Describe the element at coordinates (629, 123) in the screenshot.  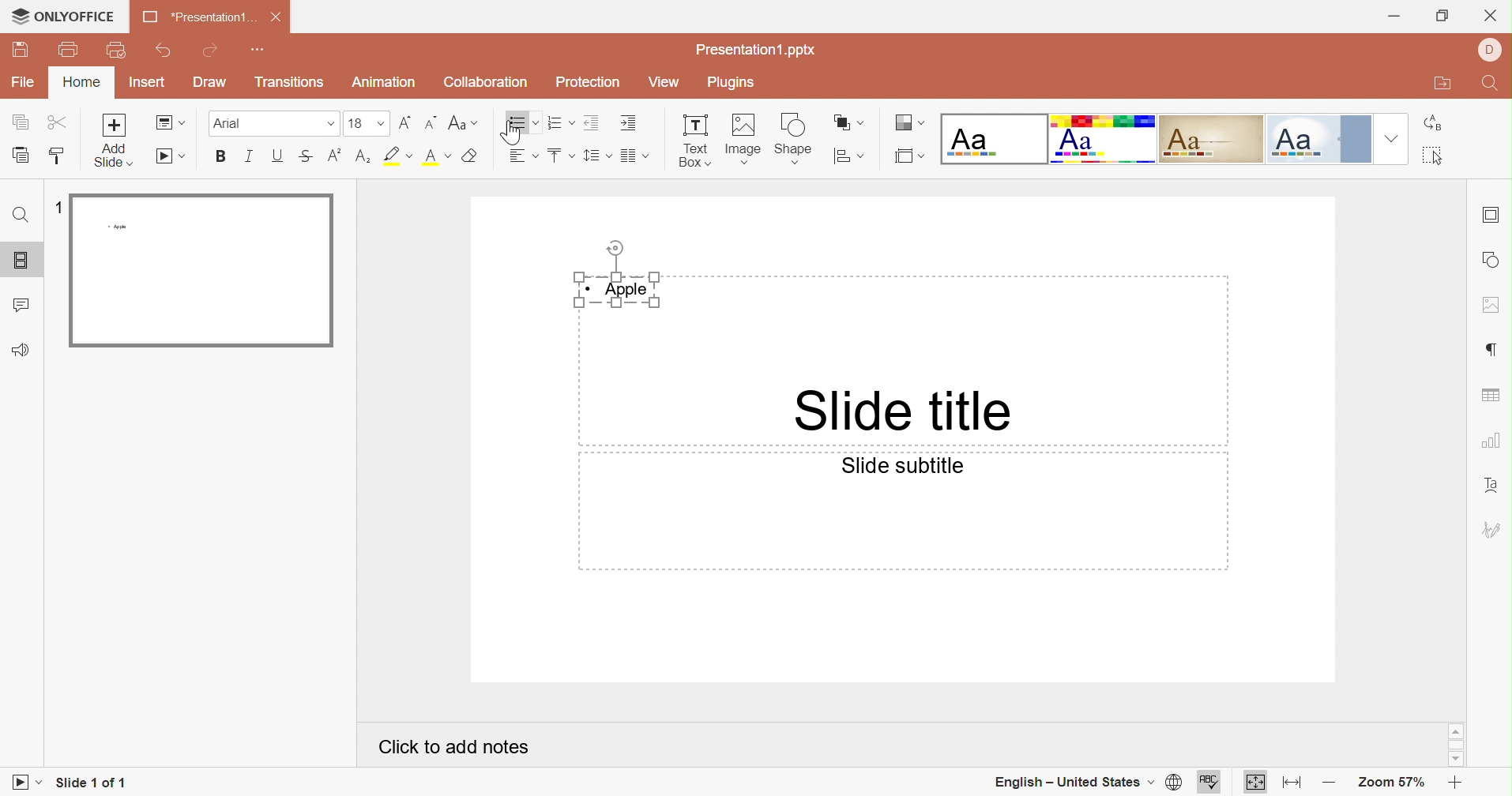
I see `Increase indent` at that location.